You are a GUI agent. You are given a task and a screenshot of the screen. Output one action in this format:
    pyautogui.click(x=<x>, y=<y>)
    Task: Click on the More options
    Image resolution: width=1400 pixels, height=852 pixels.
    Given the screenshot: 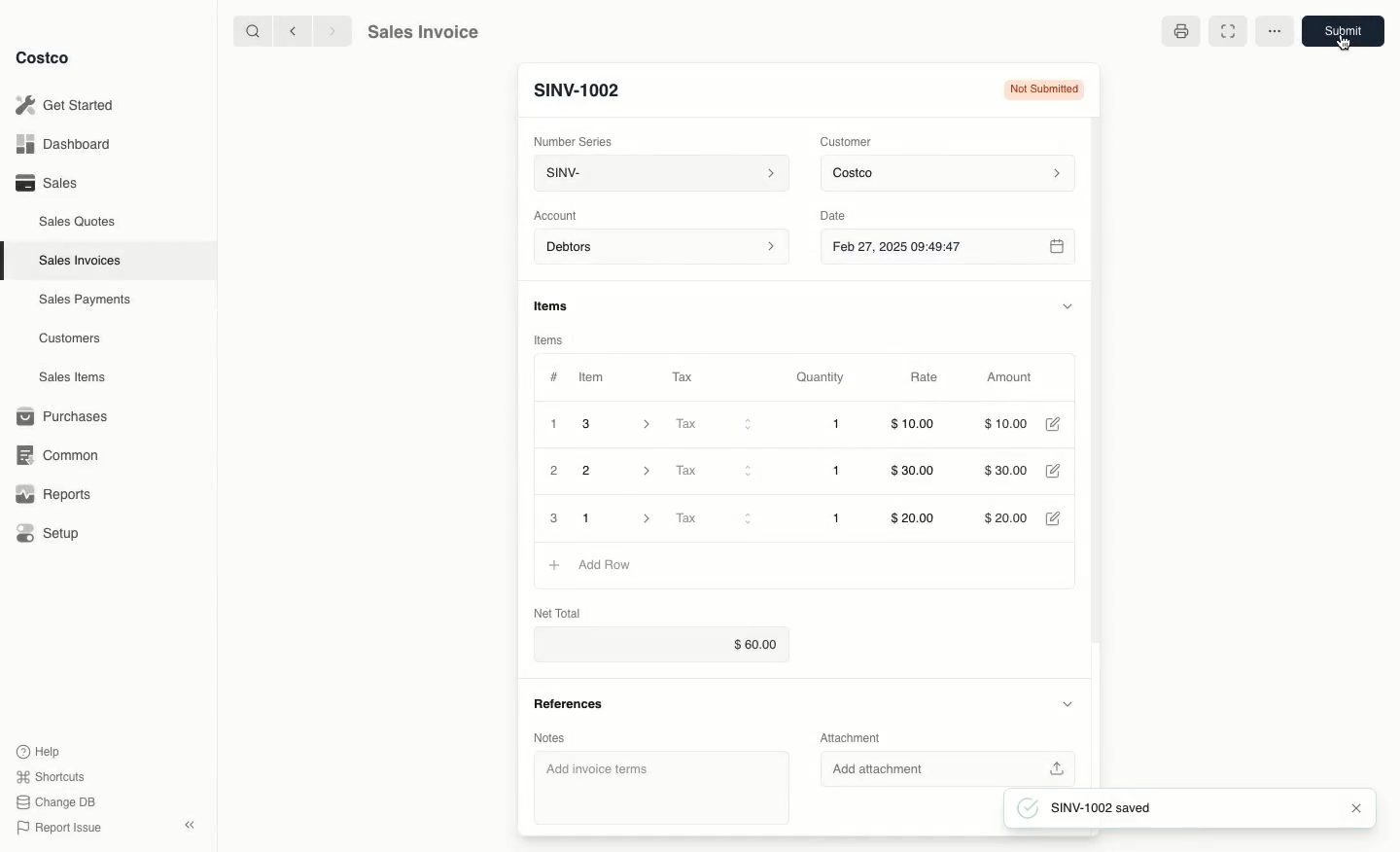 What is the action you would take?
    pyautogui.click(x=1275, y=31)
    